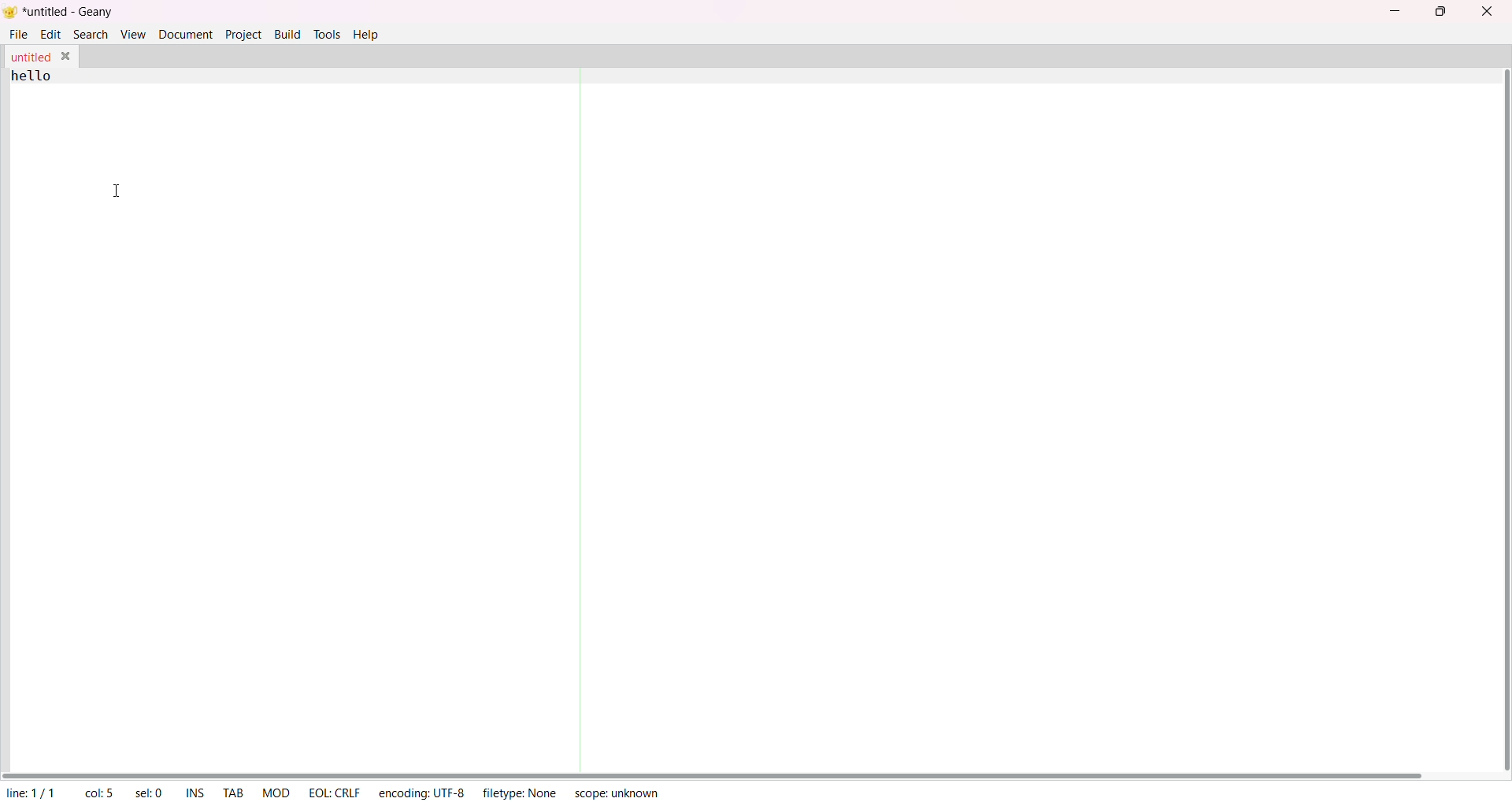  What do you see at coordinates (40, 77) in the screenshot?
I see `hello` at bounding box center [40, 77].